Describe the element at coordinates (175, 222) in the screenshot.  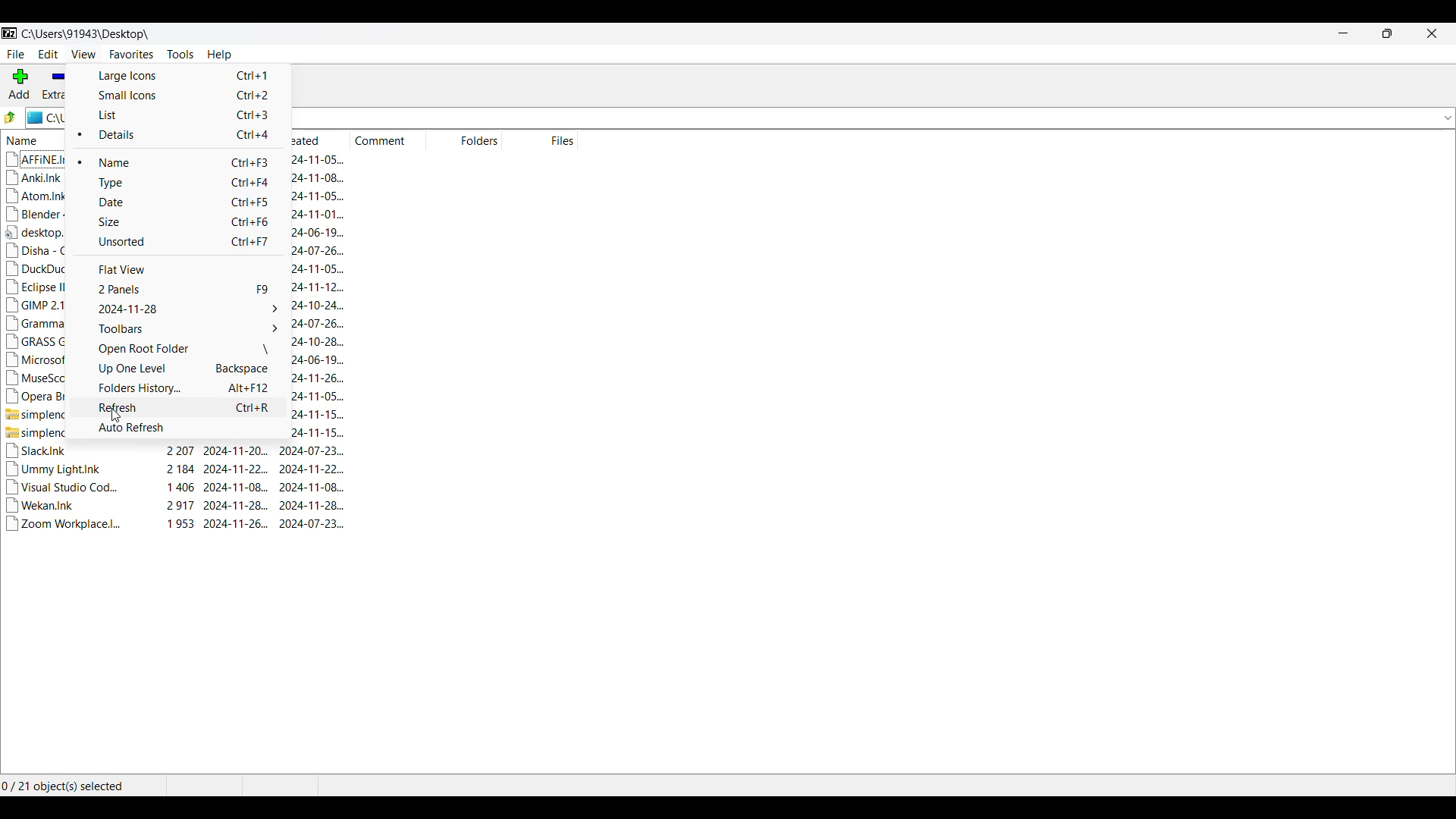
I see `Size` at that location.